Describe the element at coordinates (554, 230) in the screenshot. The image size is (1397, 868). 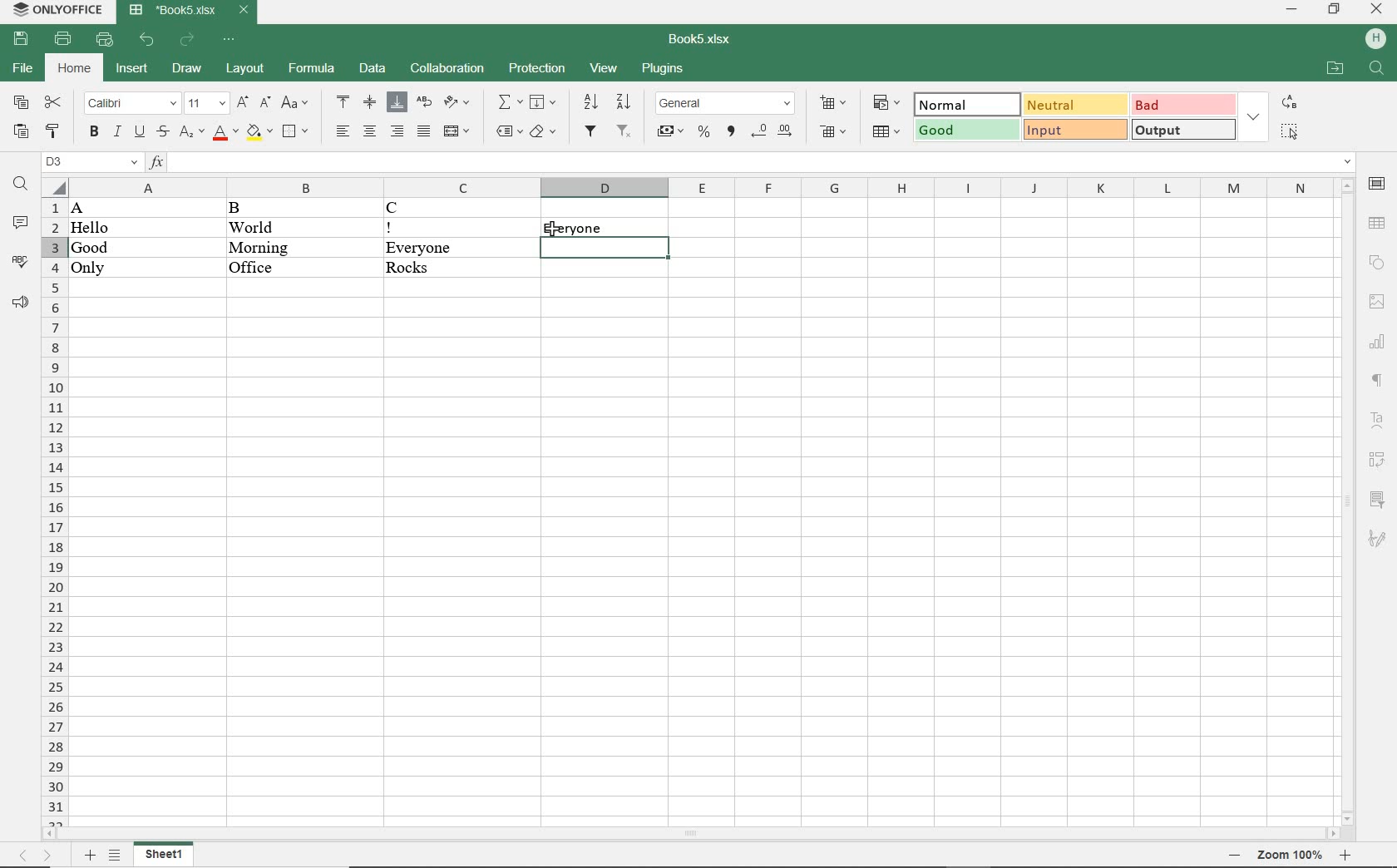
I see `cursor` at that location.